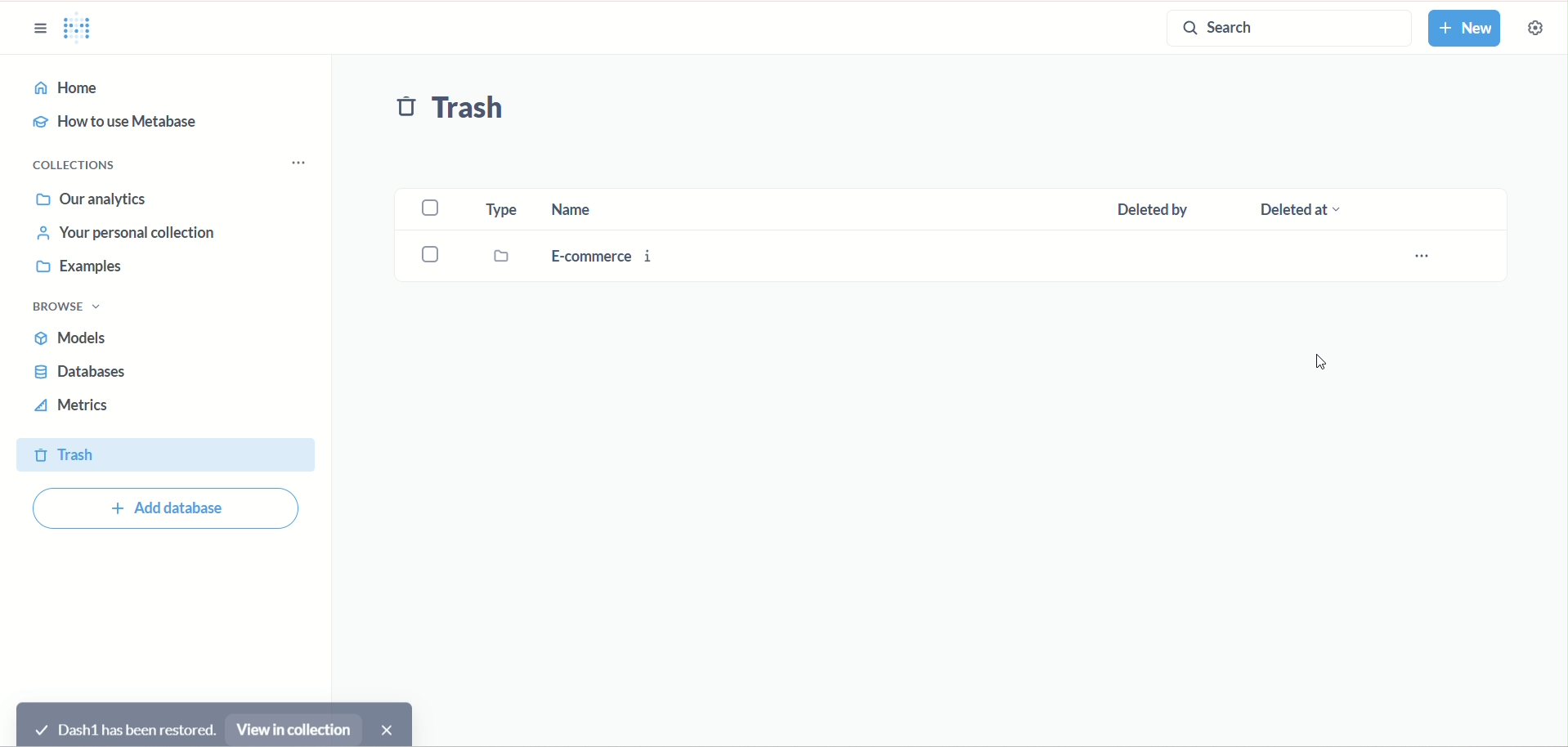 This screenshot has height=747, width=1568. I want to click on collections, so click(74, 163).